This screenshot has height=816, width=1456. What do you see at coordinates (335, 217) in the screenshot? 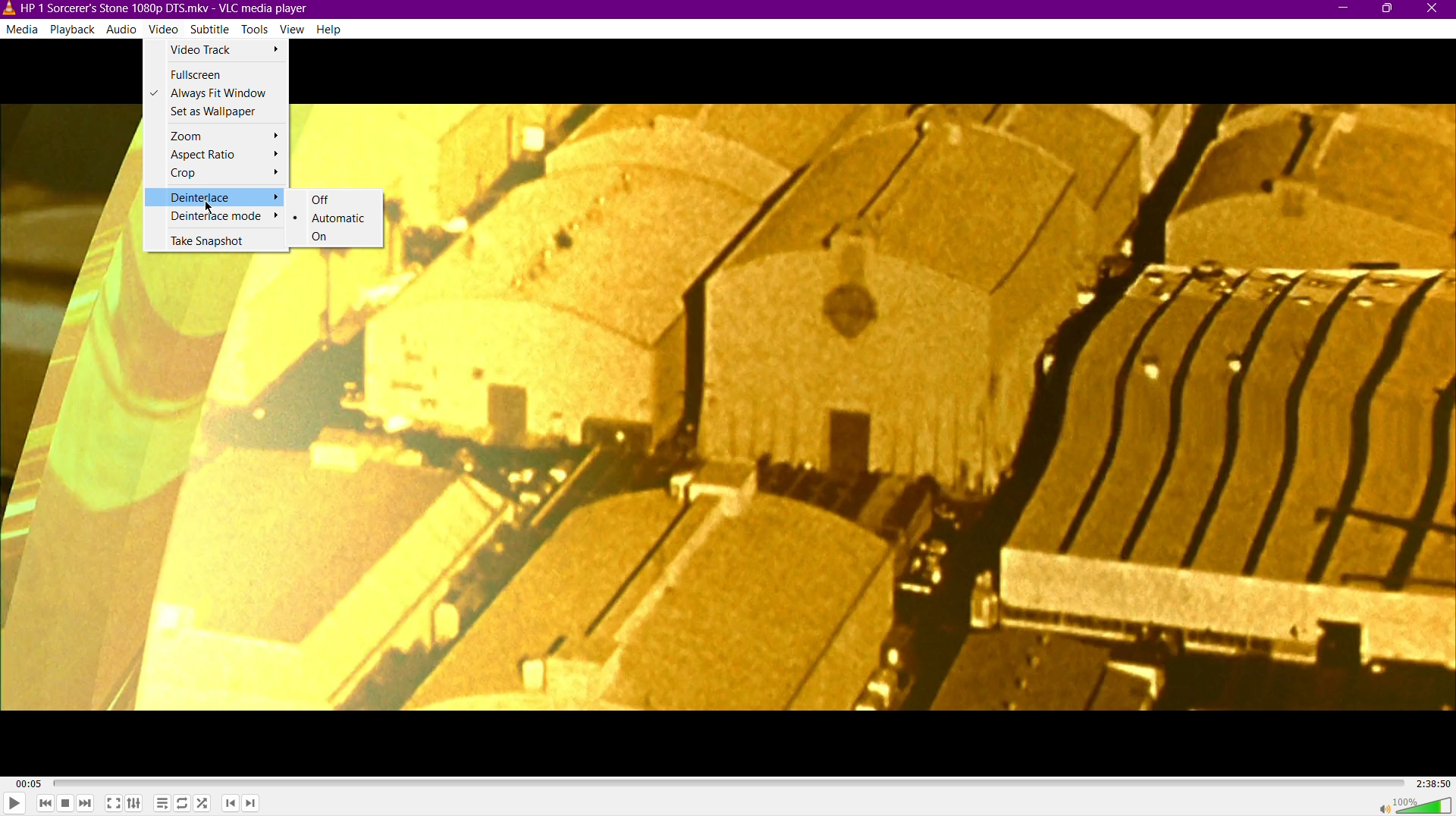
I see `Automatic` at bounding box center [335, 217].